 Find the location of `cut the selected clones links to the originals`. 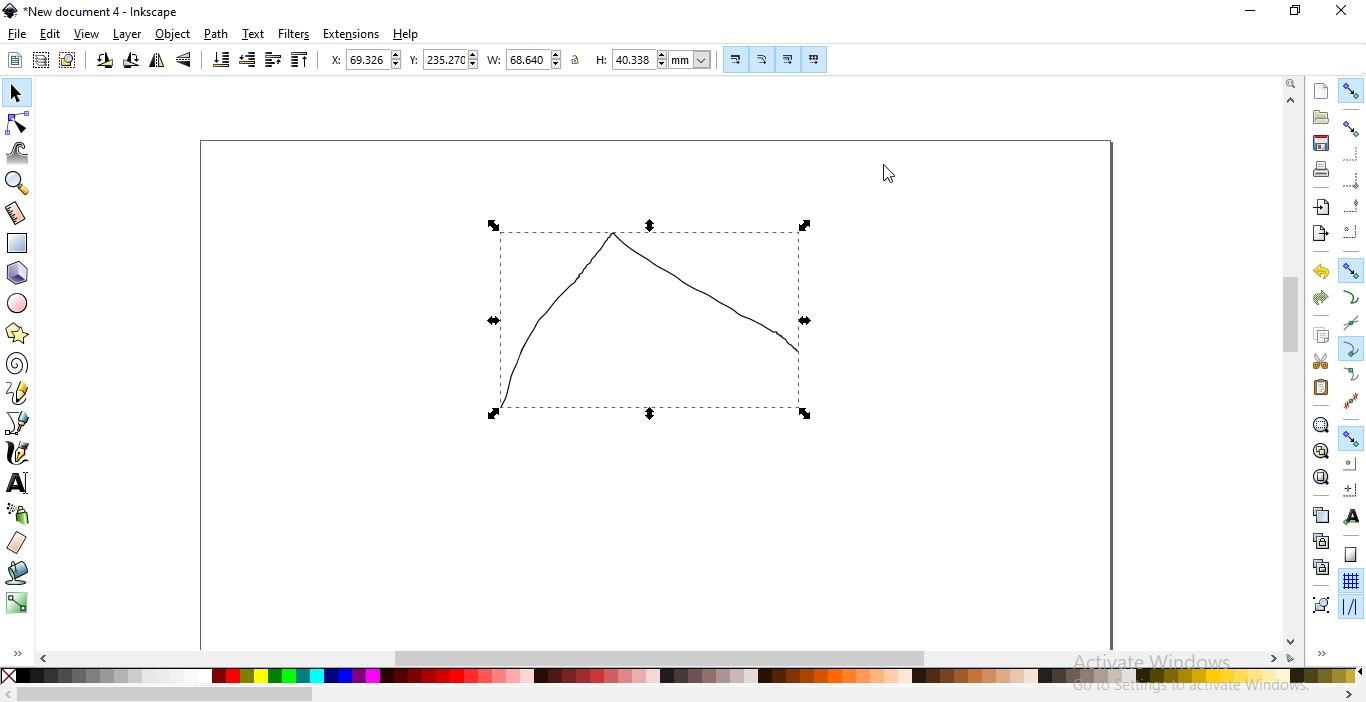

cut the selected clones links to the originals is located at coordinates (1320, 567).